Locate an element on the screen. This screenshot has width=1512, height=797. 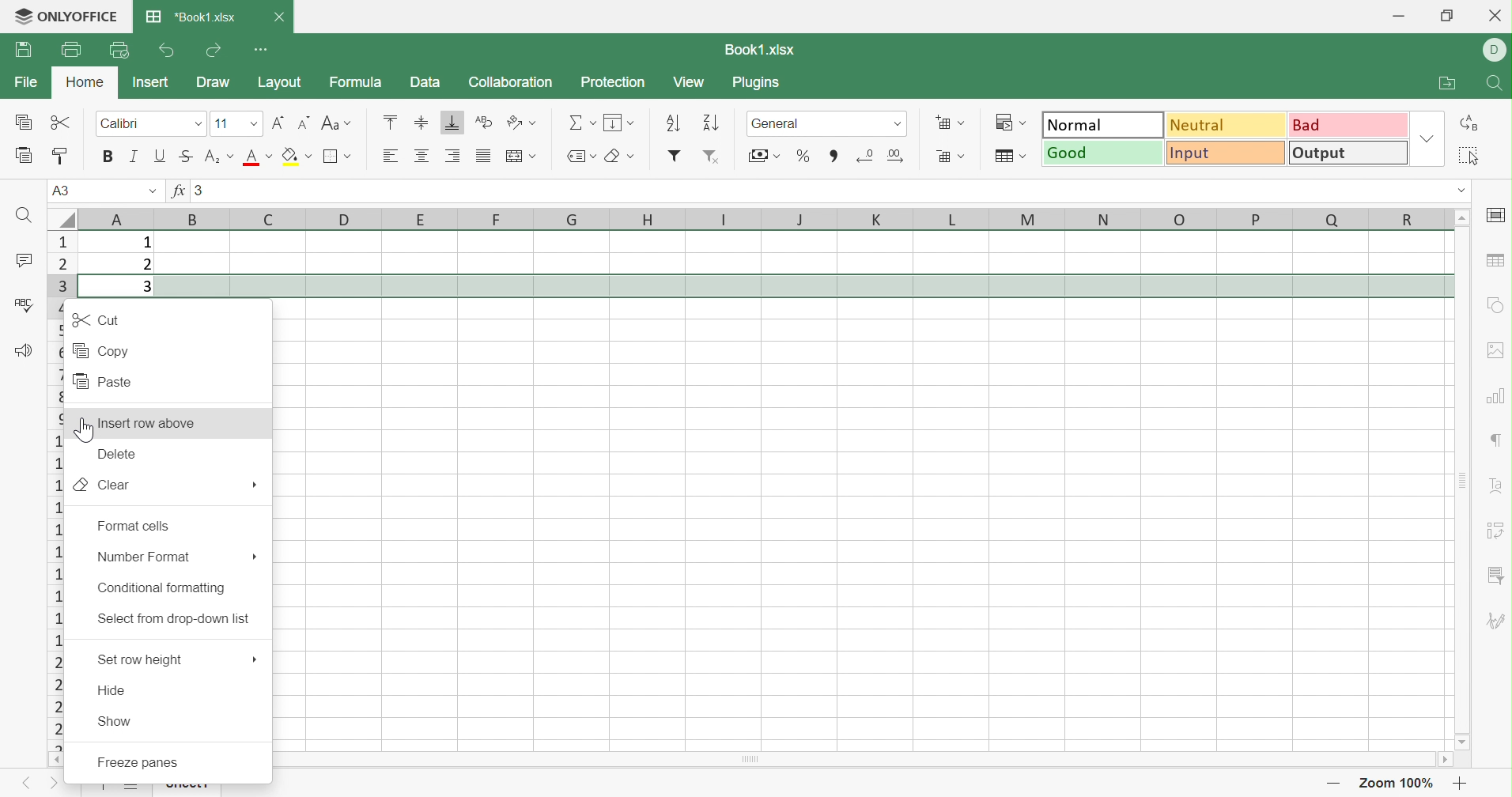
Drop Down is located at coordinates (1455, 191).